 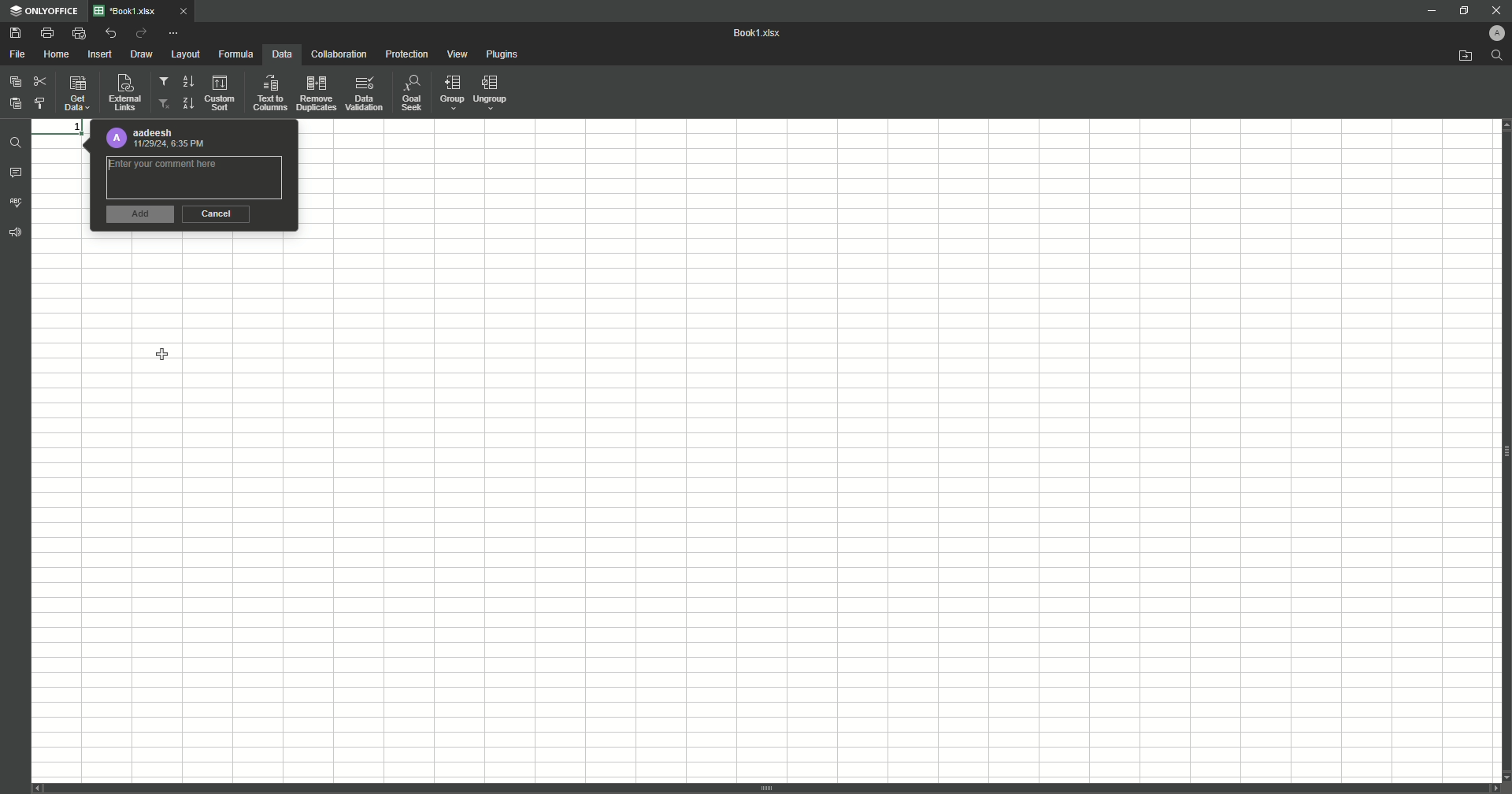 I want to click on ONLYOFFICE, so click(x=45, y=11).